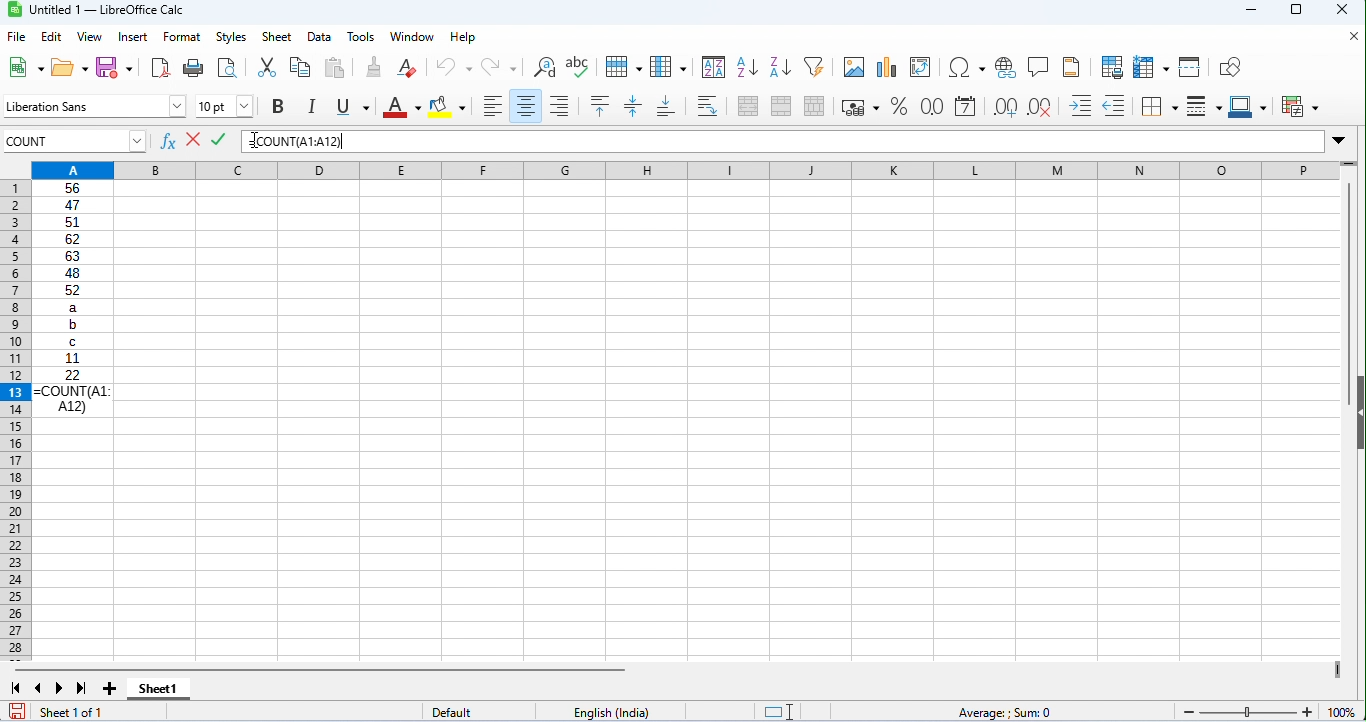 Image resolution: width=1366 pixels, height=722 pixels. What do you see at coordinates (107, 10) in the screenshot?
I see `Untitled 1 — LibreOffice Calc` at bounding box center [107, 10].